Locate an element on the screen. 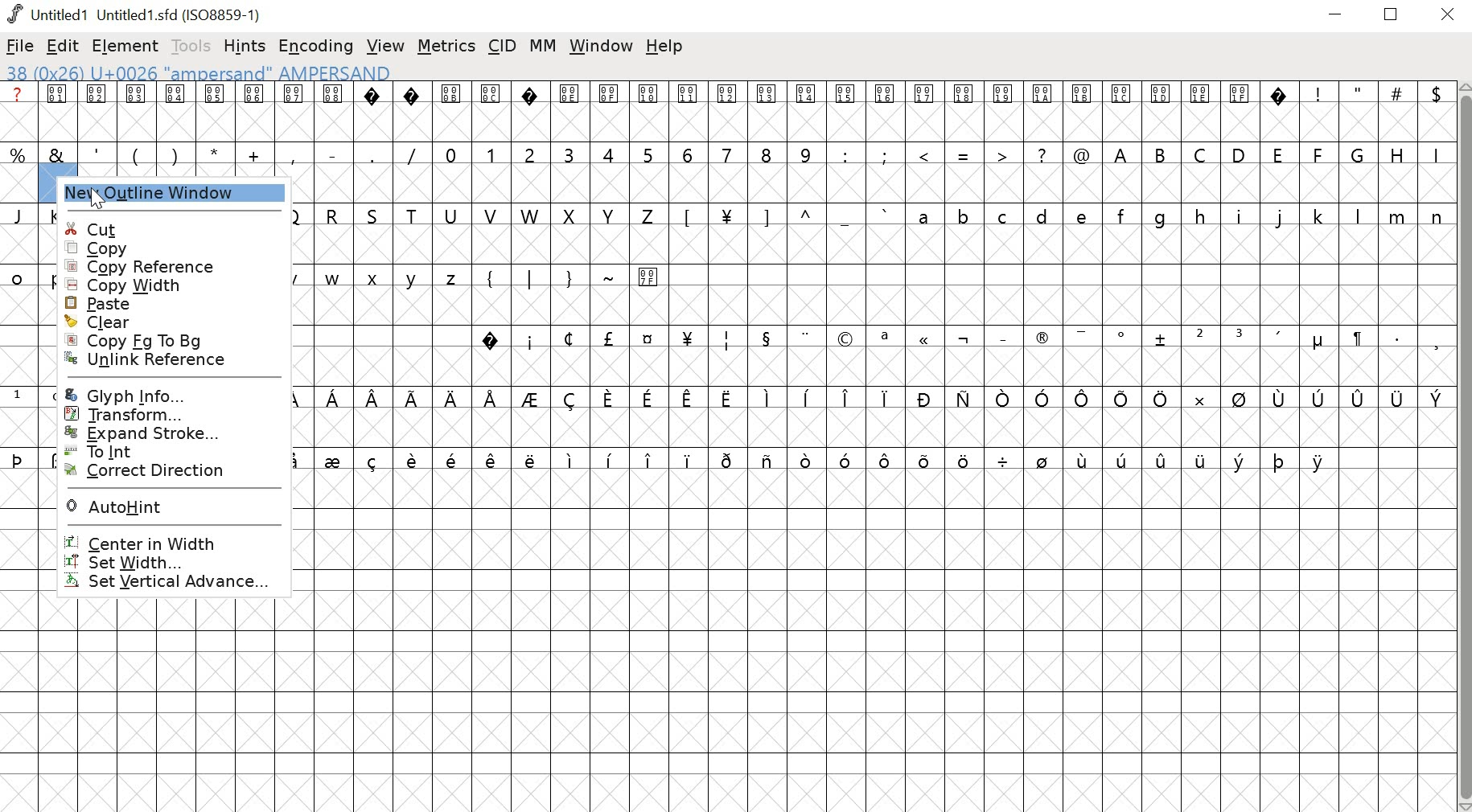 Image resolution: width=1472 pixels, height=812 pixels. 2 is located at coordinates (1199, 336).